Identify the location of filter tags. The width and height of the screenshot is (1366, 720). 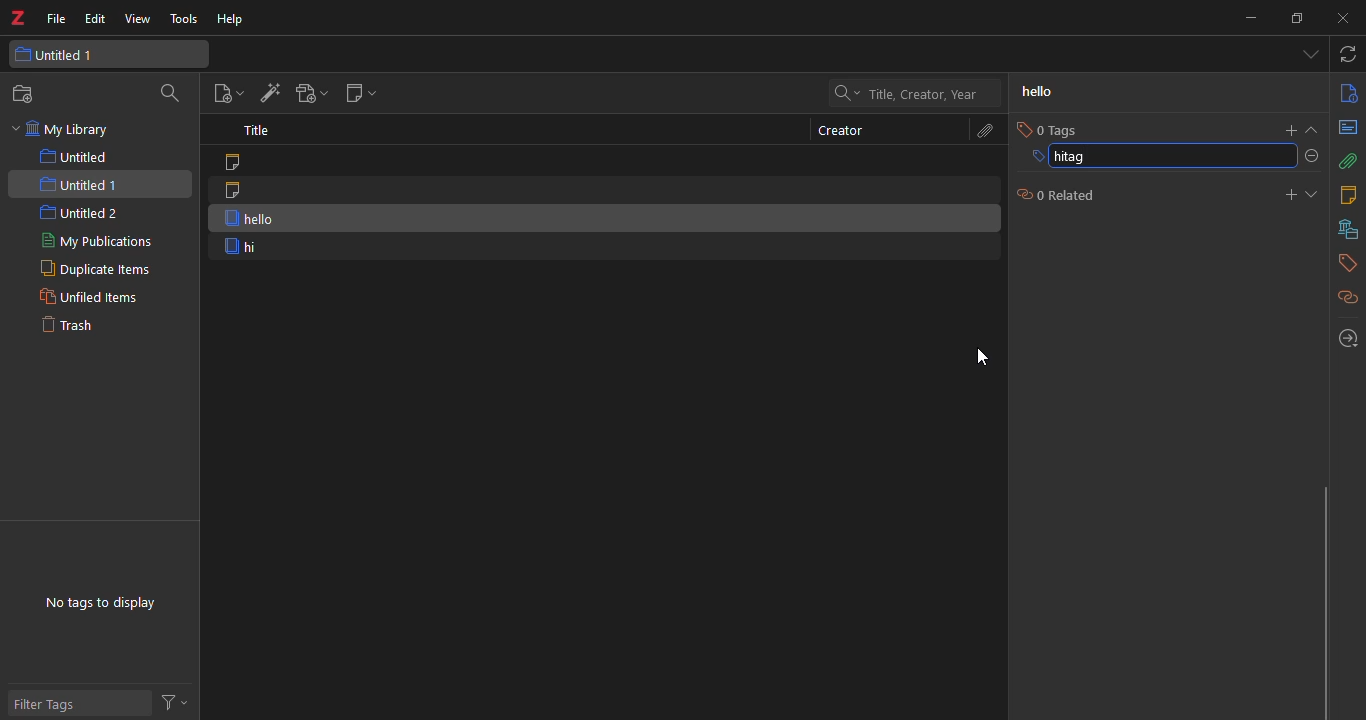
(56, 703).